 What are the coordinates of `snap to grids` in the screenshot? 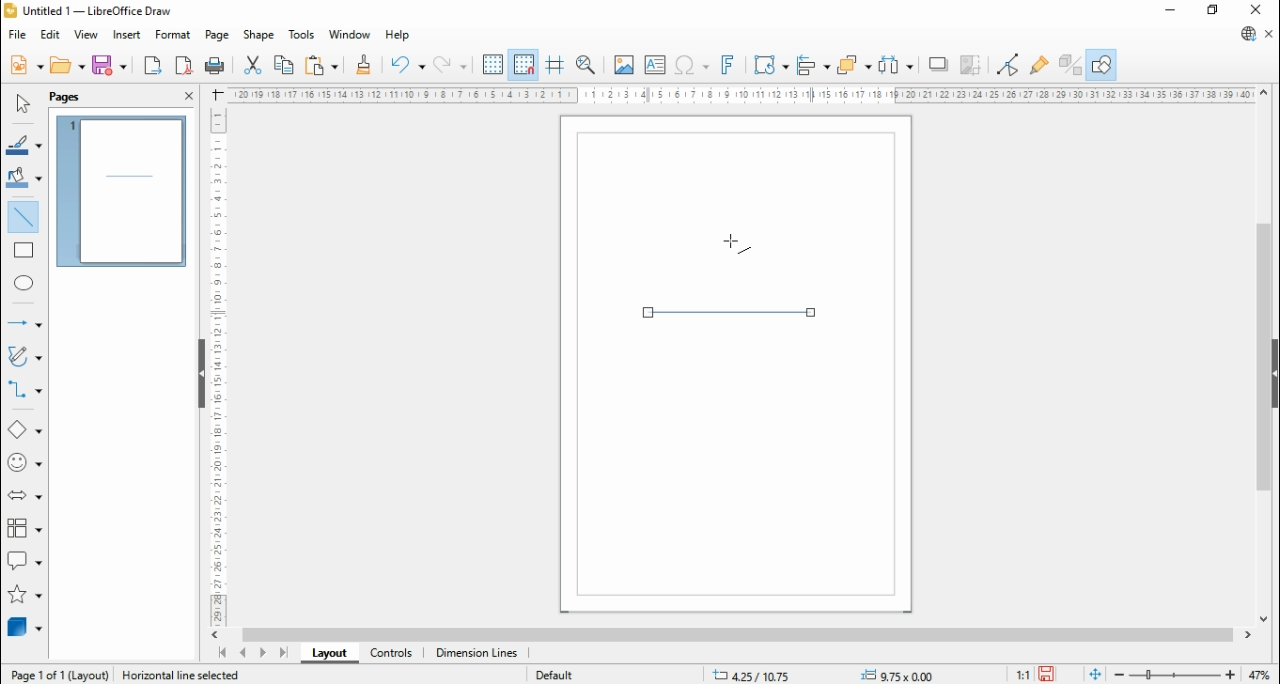 It's located at (525, 63).